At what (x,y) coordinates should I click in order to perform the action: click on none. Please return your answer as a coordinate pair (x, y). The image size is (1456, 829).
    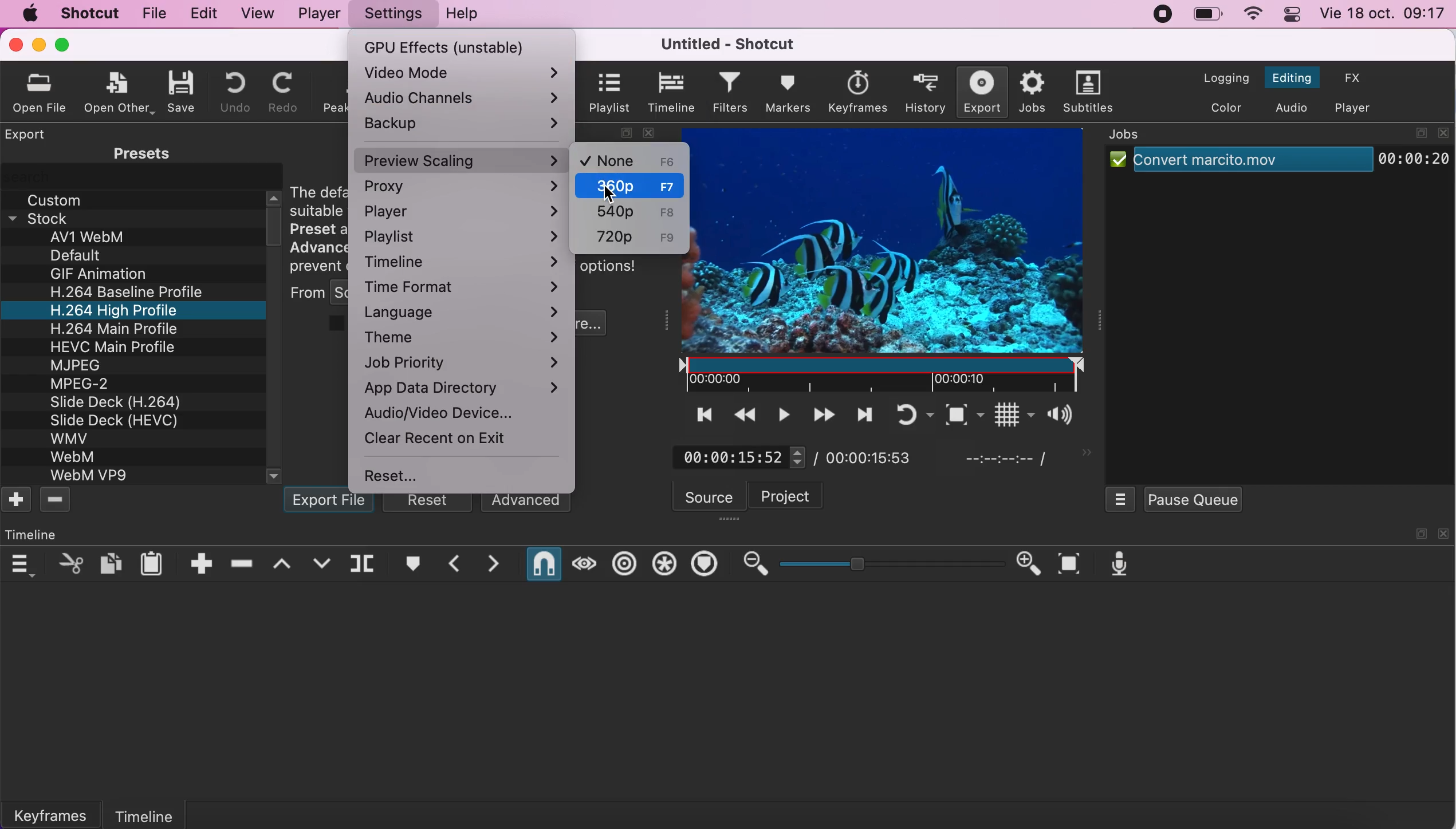
    Looking at the image, I should click on (629, 160).